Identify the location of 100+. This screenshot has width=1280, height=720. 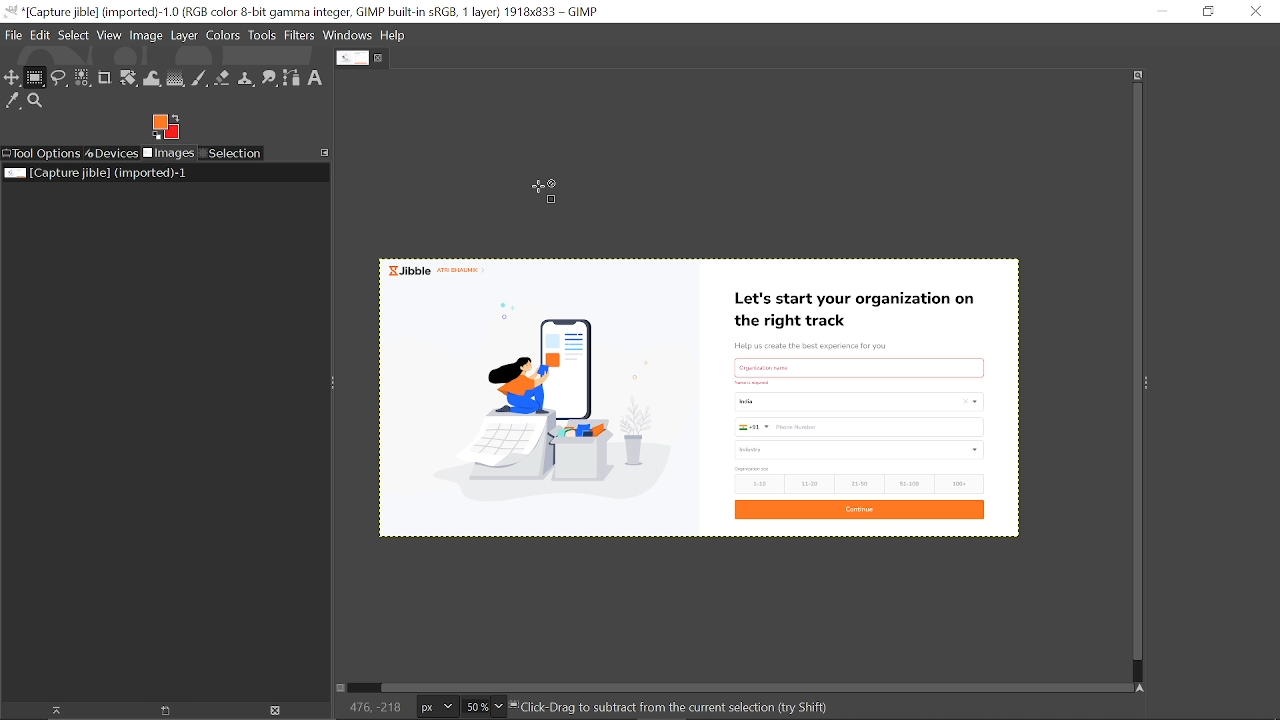
(959, 484).